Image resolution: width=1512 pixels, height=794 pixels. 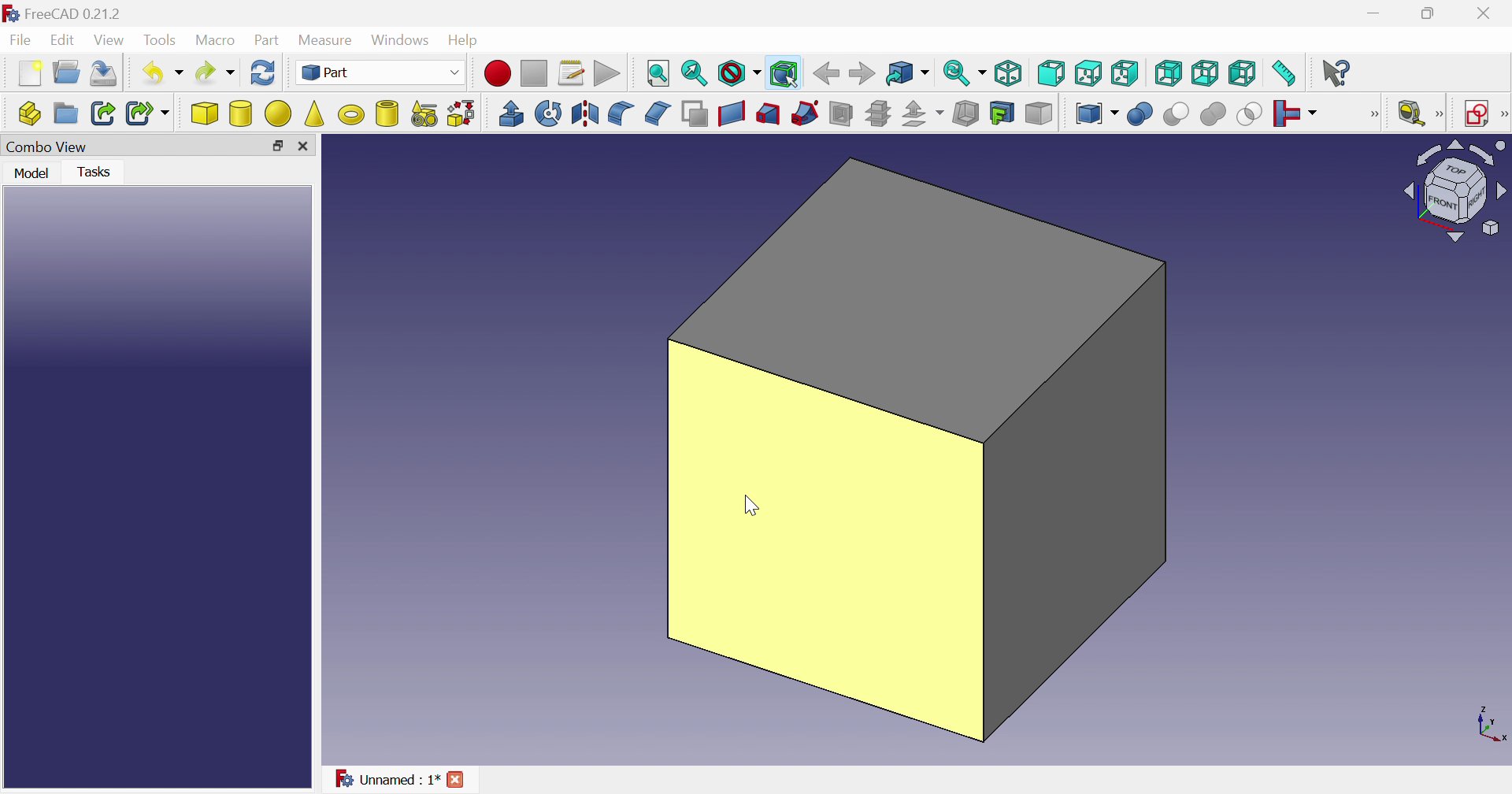 What do you see at coordinates (308, 147) in the screenshot?
I see `Close` at bounding box center [308, 147].